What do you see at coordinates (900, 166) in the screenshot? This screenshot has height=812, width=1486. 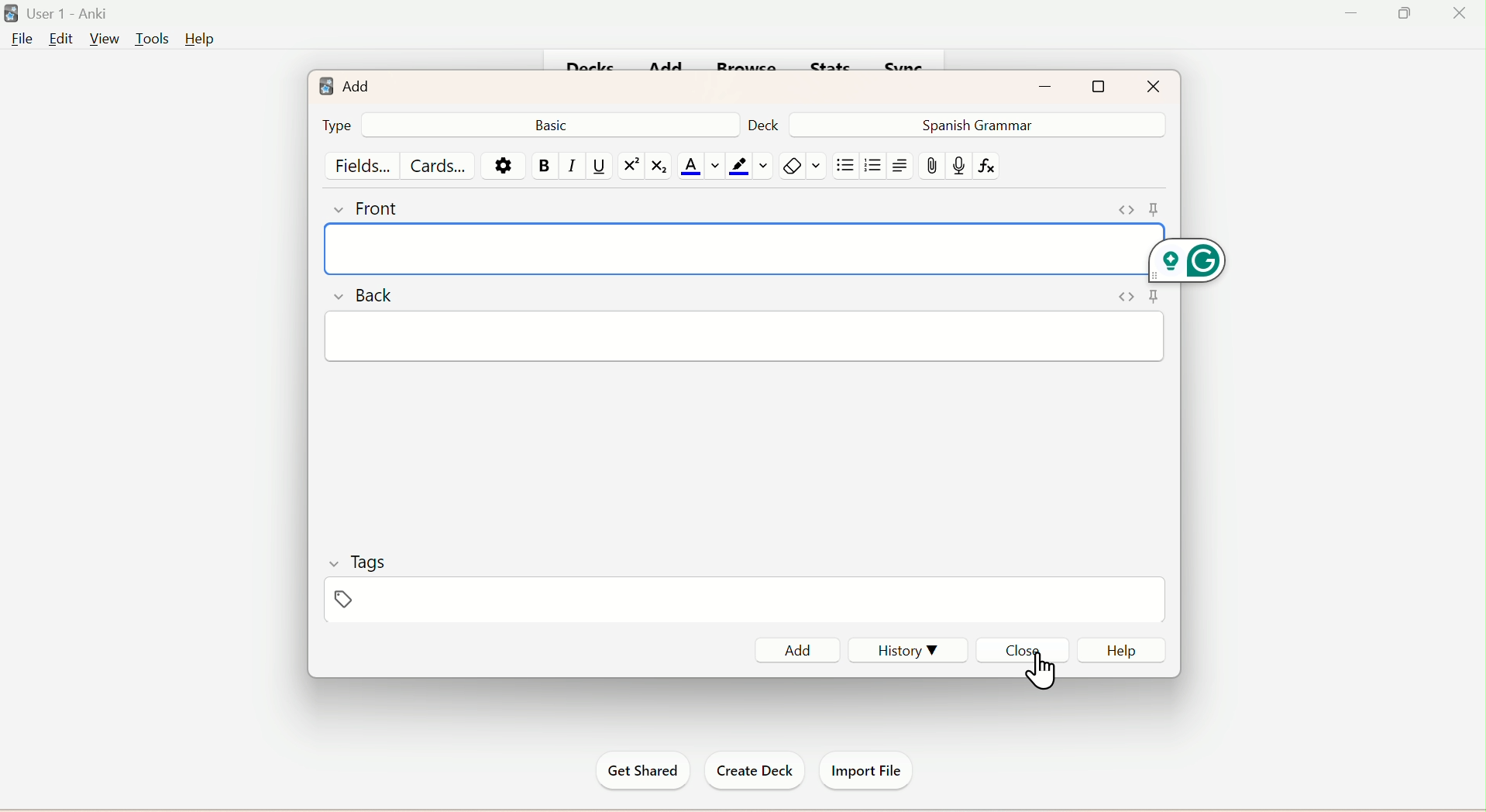 I see `Text Alignment` at bounding box center [900, 166].